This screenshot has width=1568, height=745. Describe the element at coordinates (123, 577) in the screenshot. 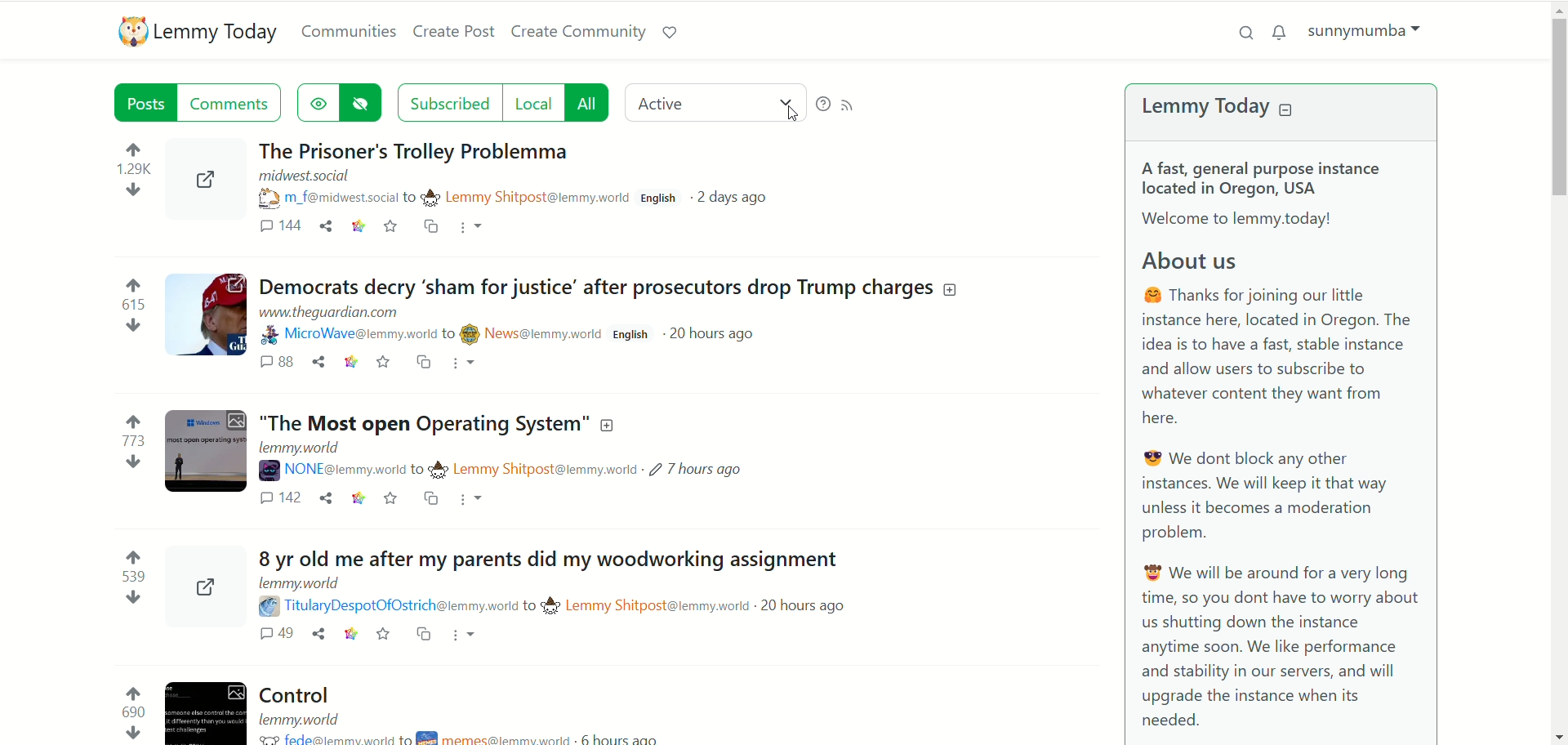

I see `votes` at that location.